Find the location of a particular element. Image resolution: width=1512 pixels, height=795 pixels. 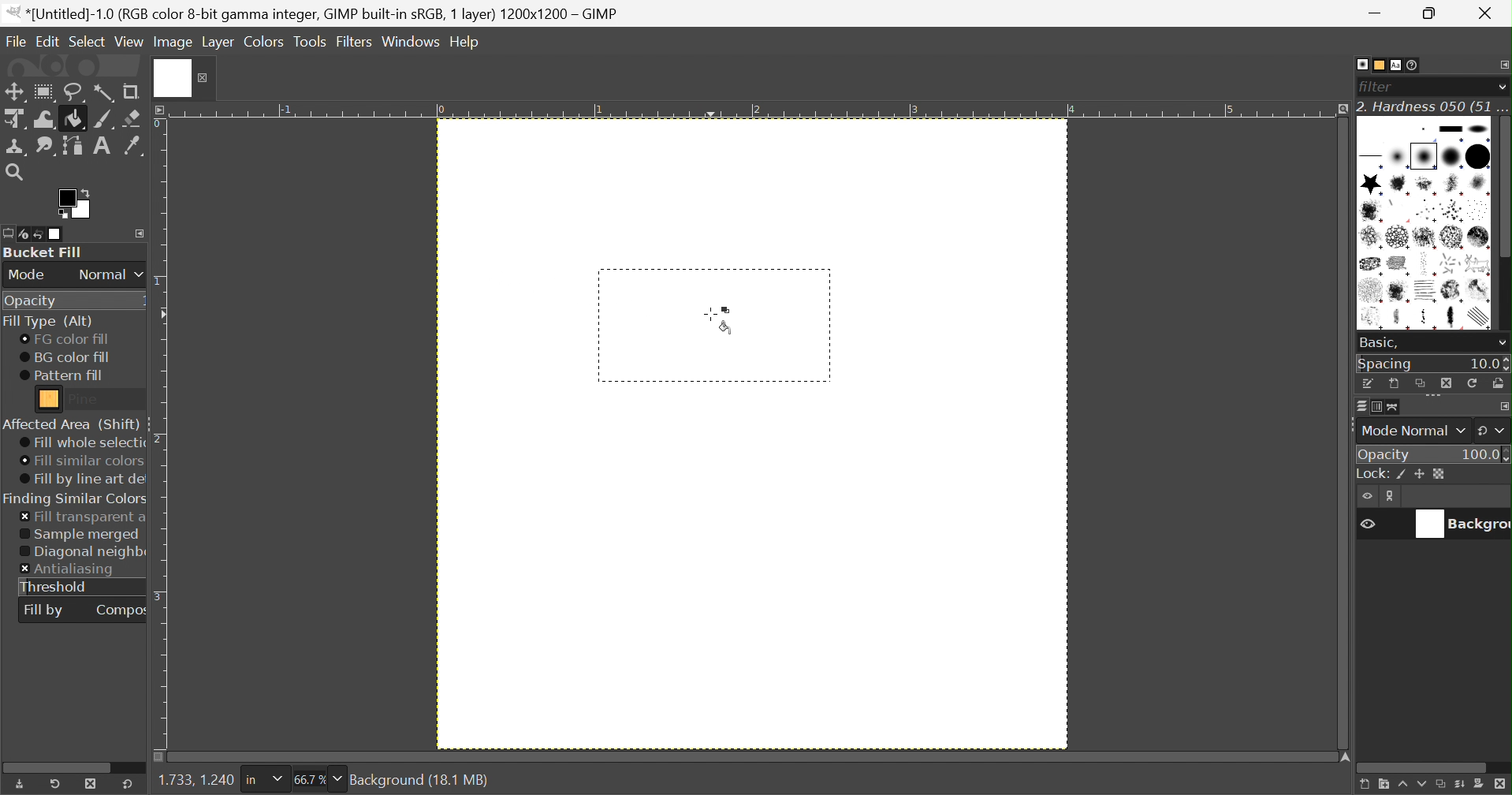

Fuzzy Select Tool is located at coordinates (104, 93).